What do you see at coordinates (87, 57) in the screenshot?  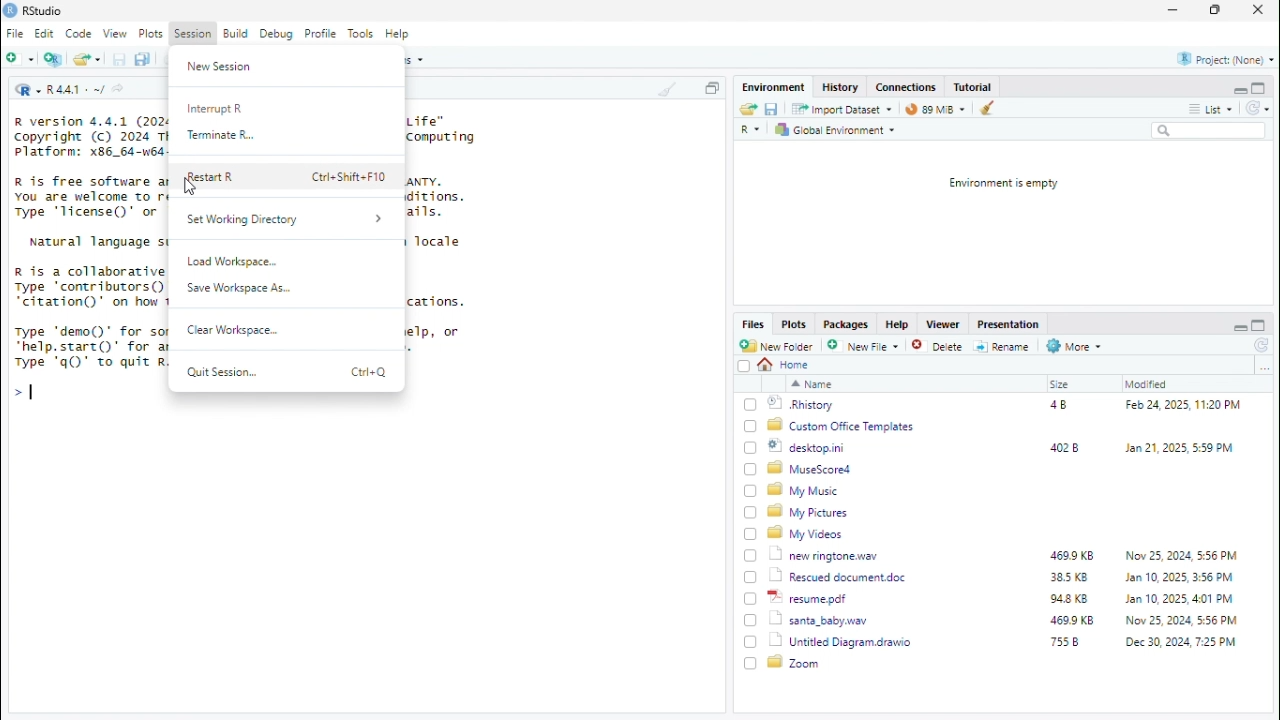 I see `open file` at bounding box center [87, 57].